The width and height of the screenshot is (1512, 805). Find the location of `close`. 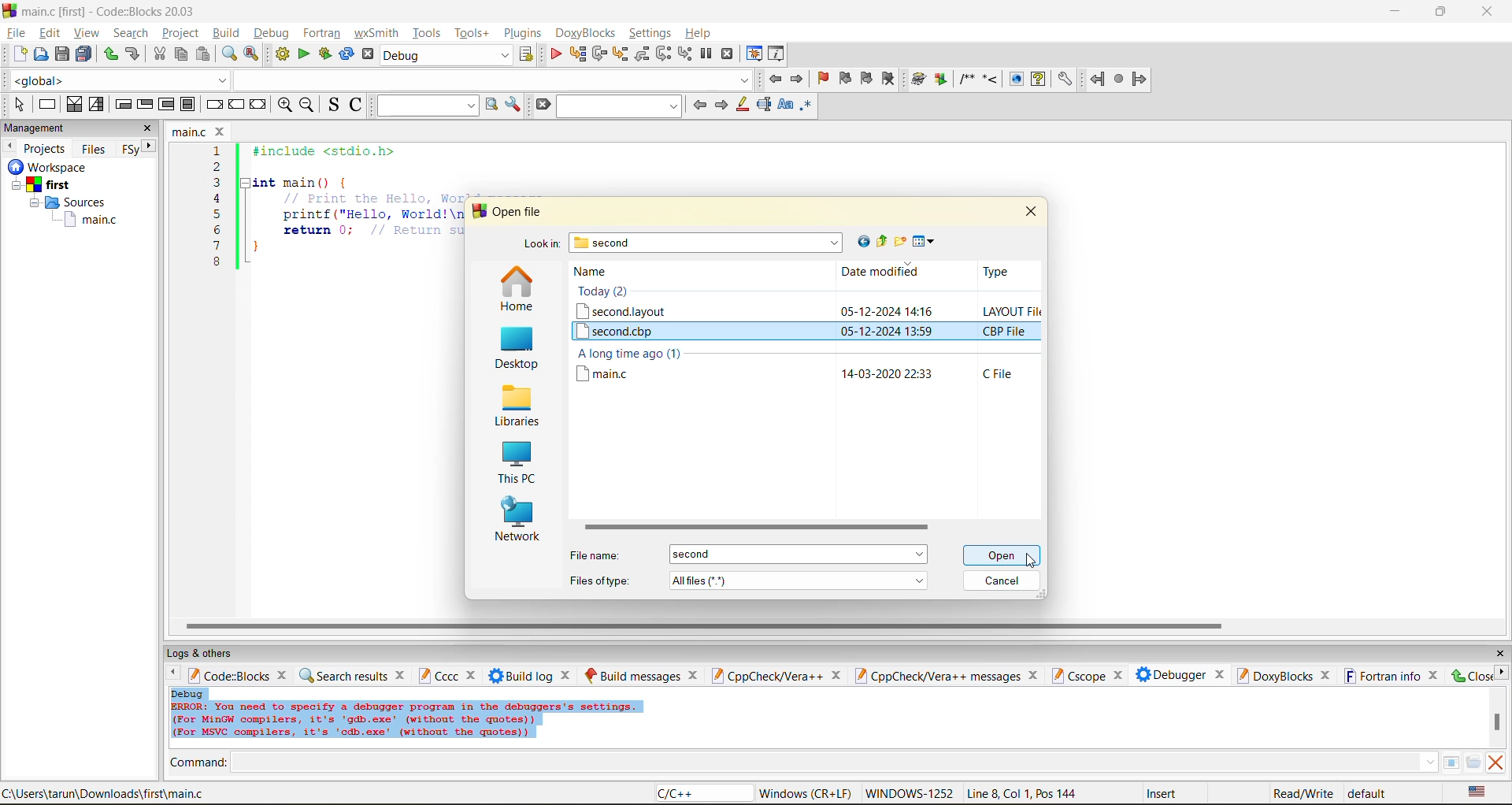

close is located at coordinates (148, 128).